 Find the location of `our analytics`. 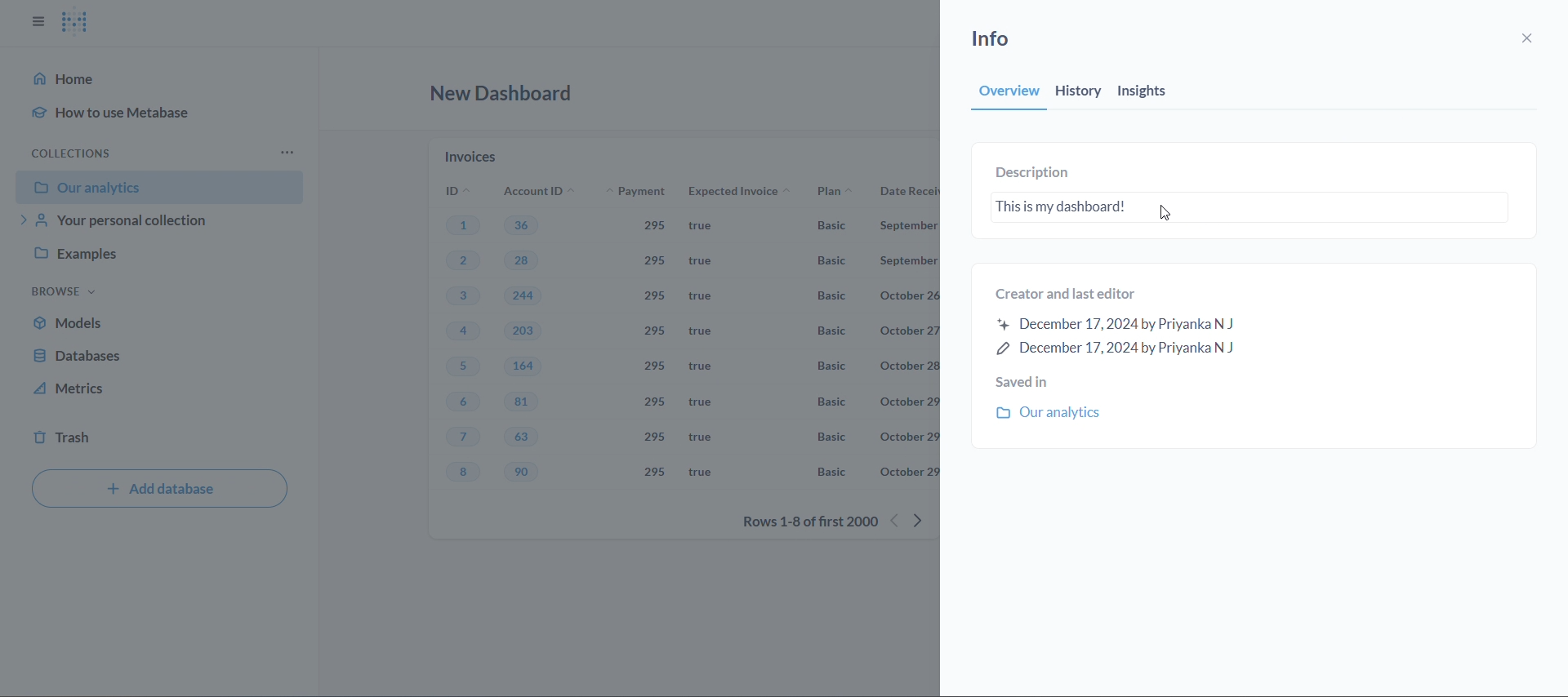

our analytics is located at coordinates (1055, 412).